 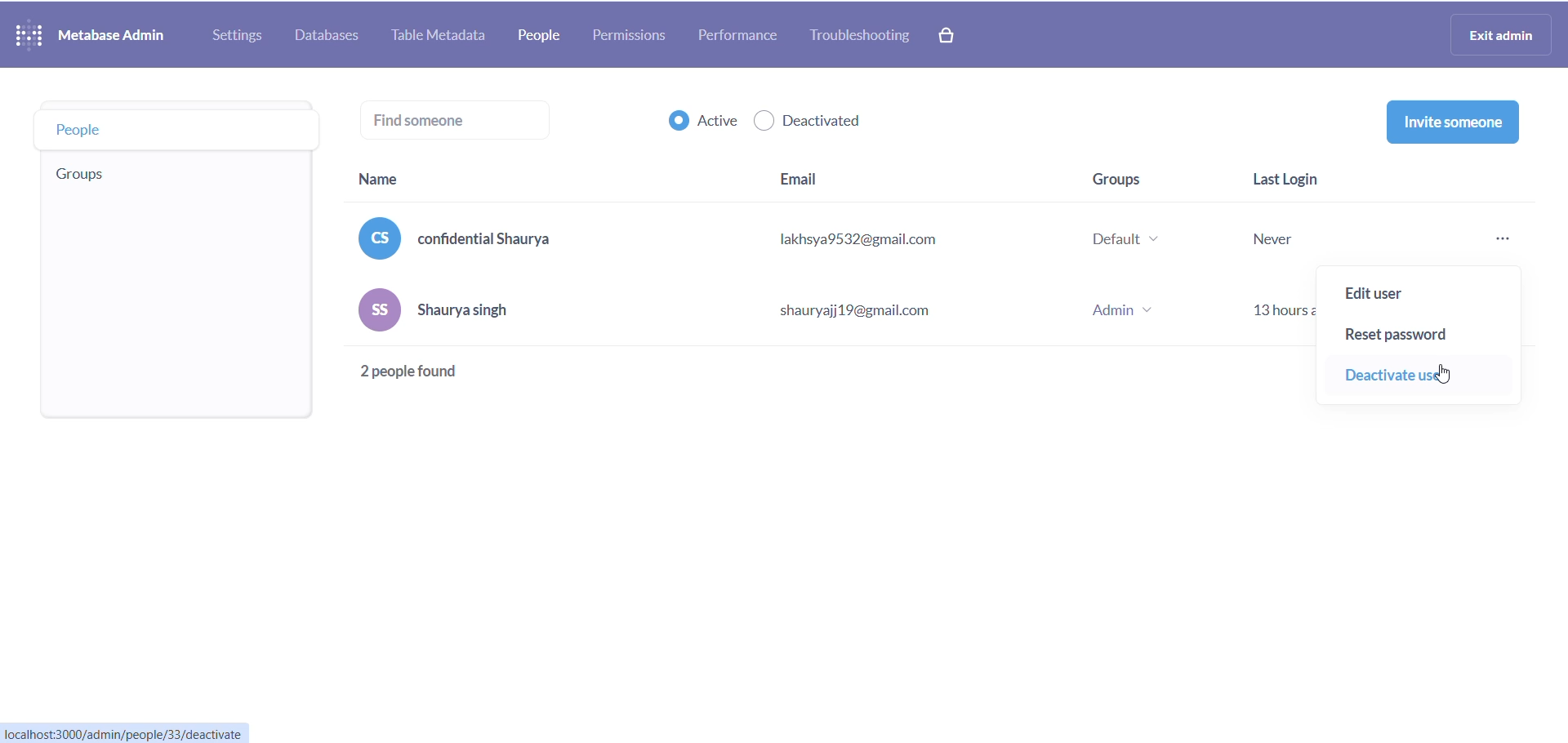 What do you see at coordinates (458, 316) in the screenshot?
I see `name` at bounding box center [458, 316].